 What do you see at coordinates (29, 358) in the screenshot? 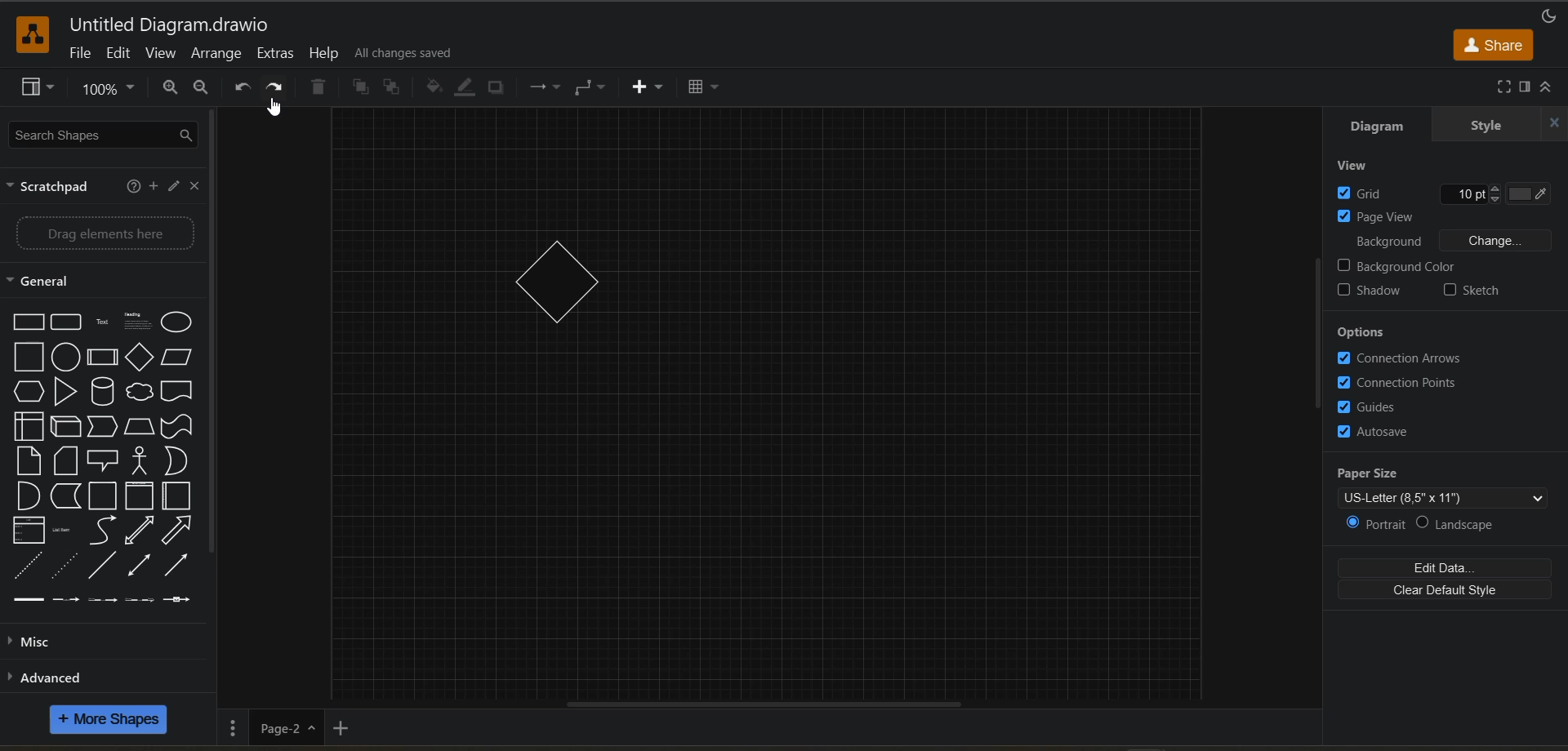
I see `square` at bounding box center [29, 358].